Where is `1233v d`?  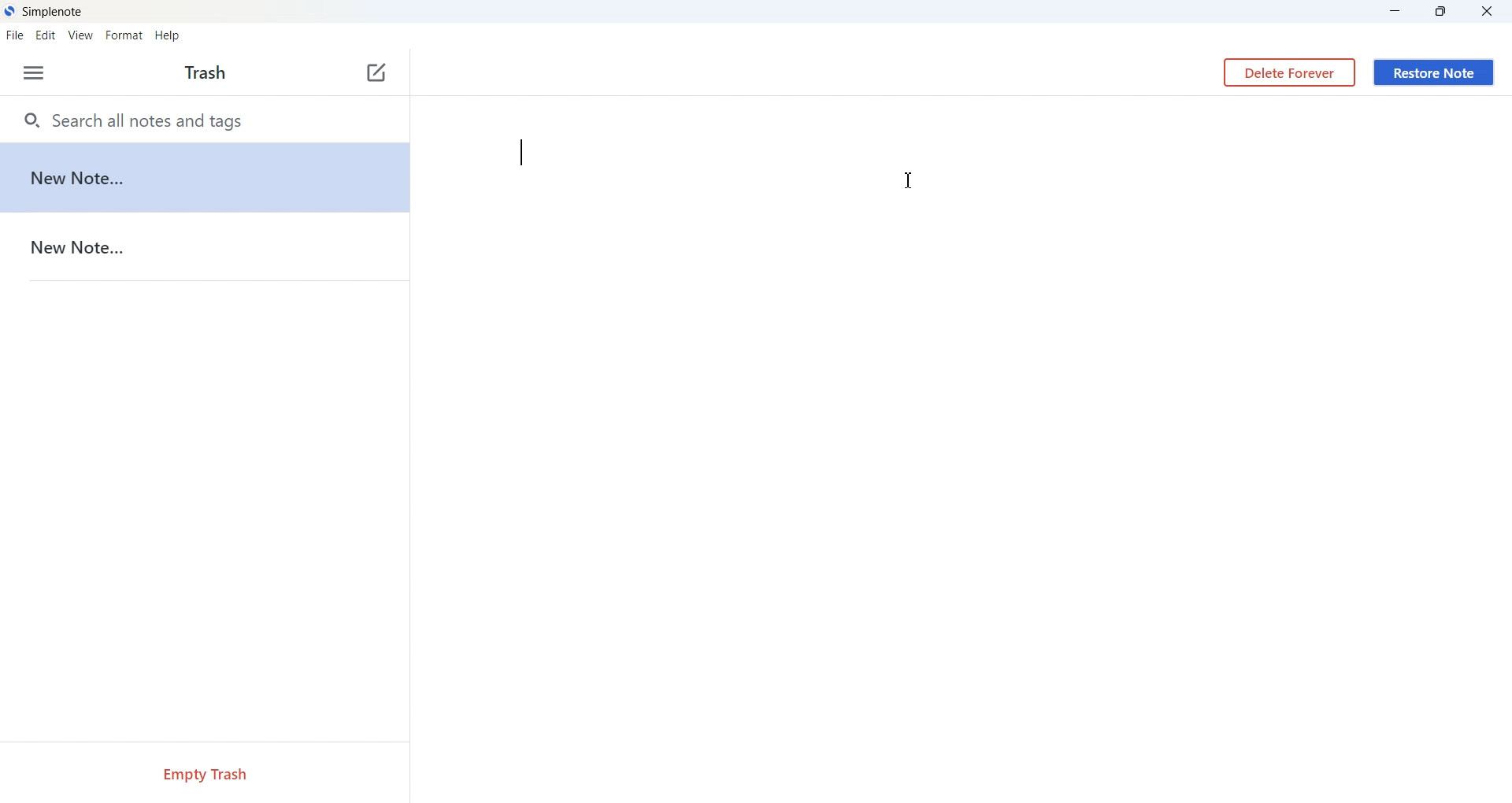 1233v d is located at coordinates (204, 179).